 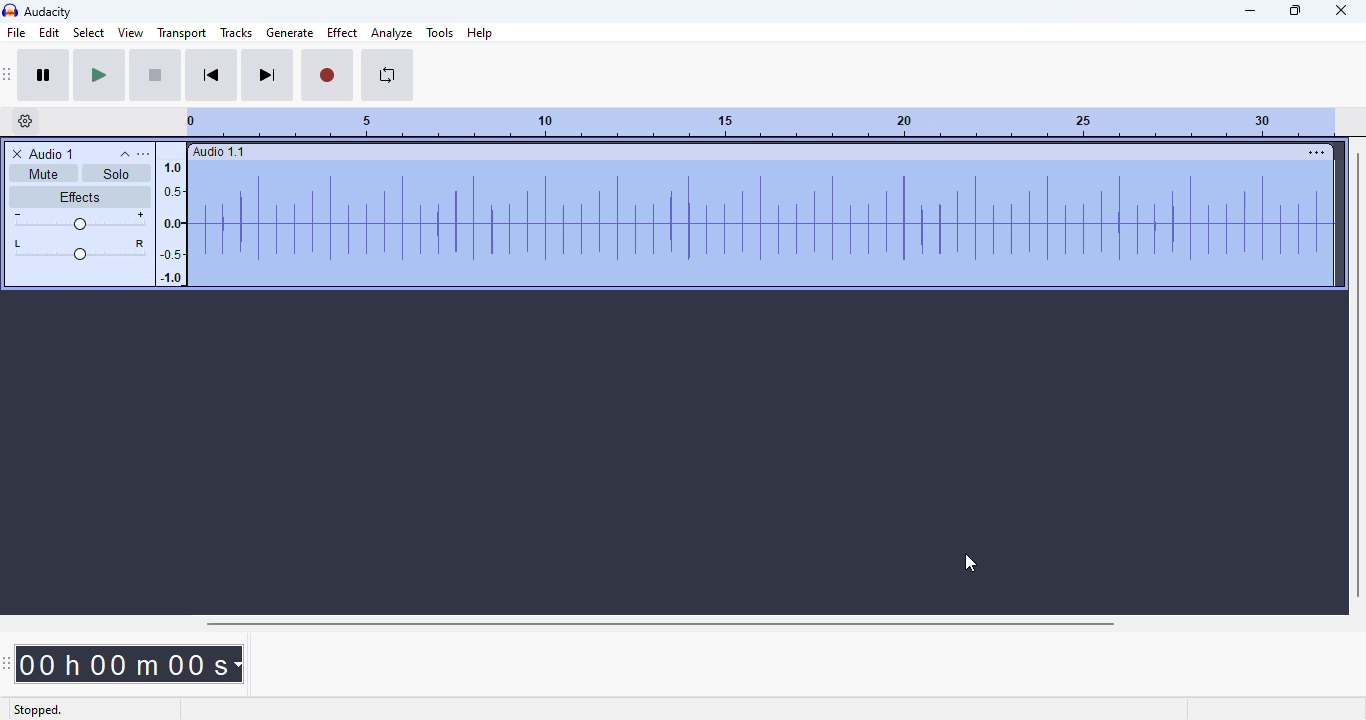 I want to click on generate, so click(x=291, y=32).